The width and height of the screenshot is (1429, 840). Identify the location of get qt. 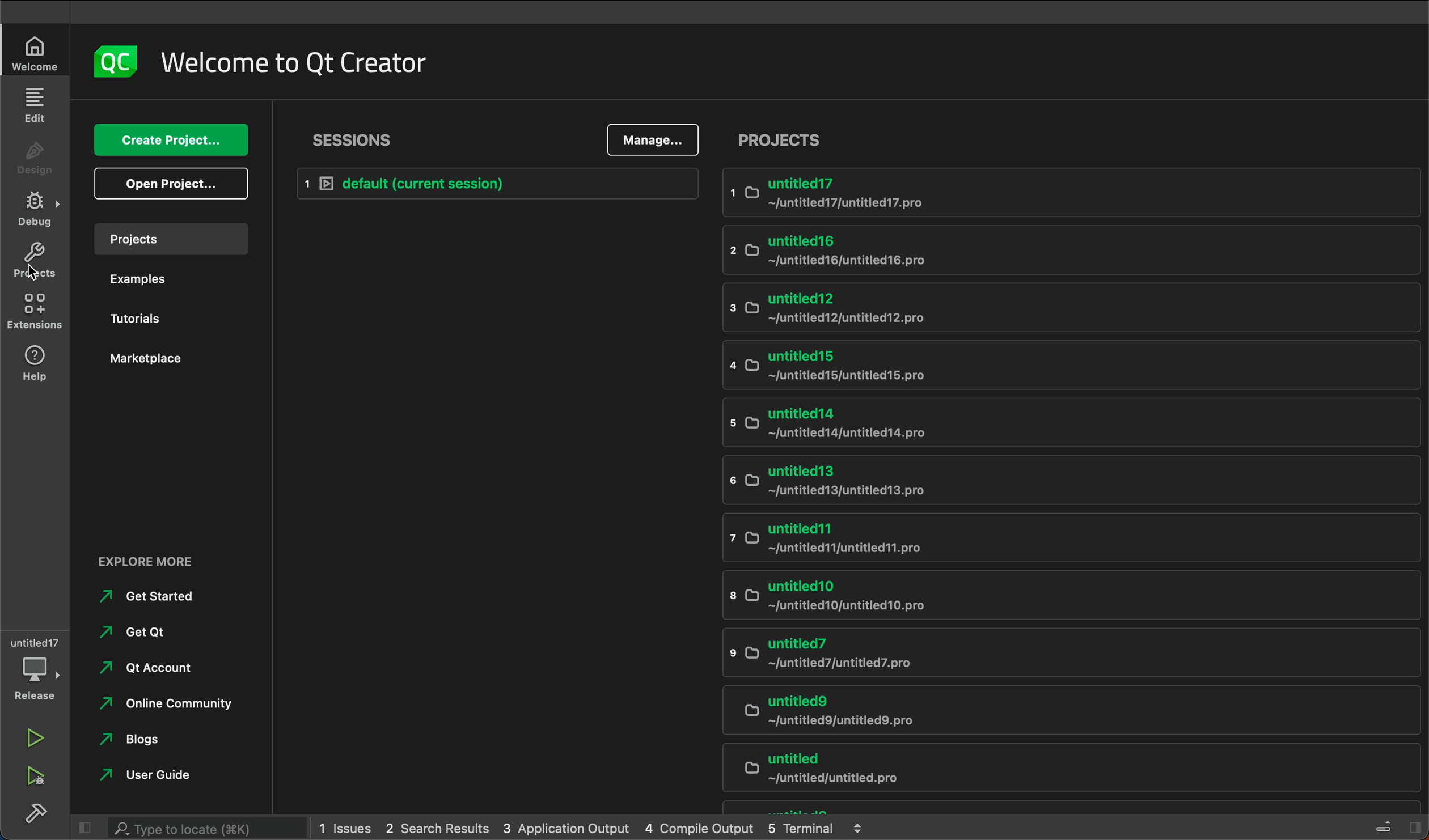
(133, 633).